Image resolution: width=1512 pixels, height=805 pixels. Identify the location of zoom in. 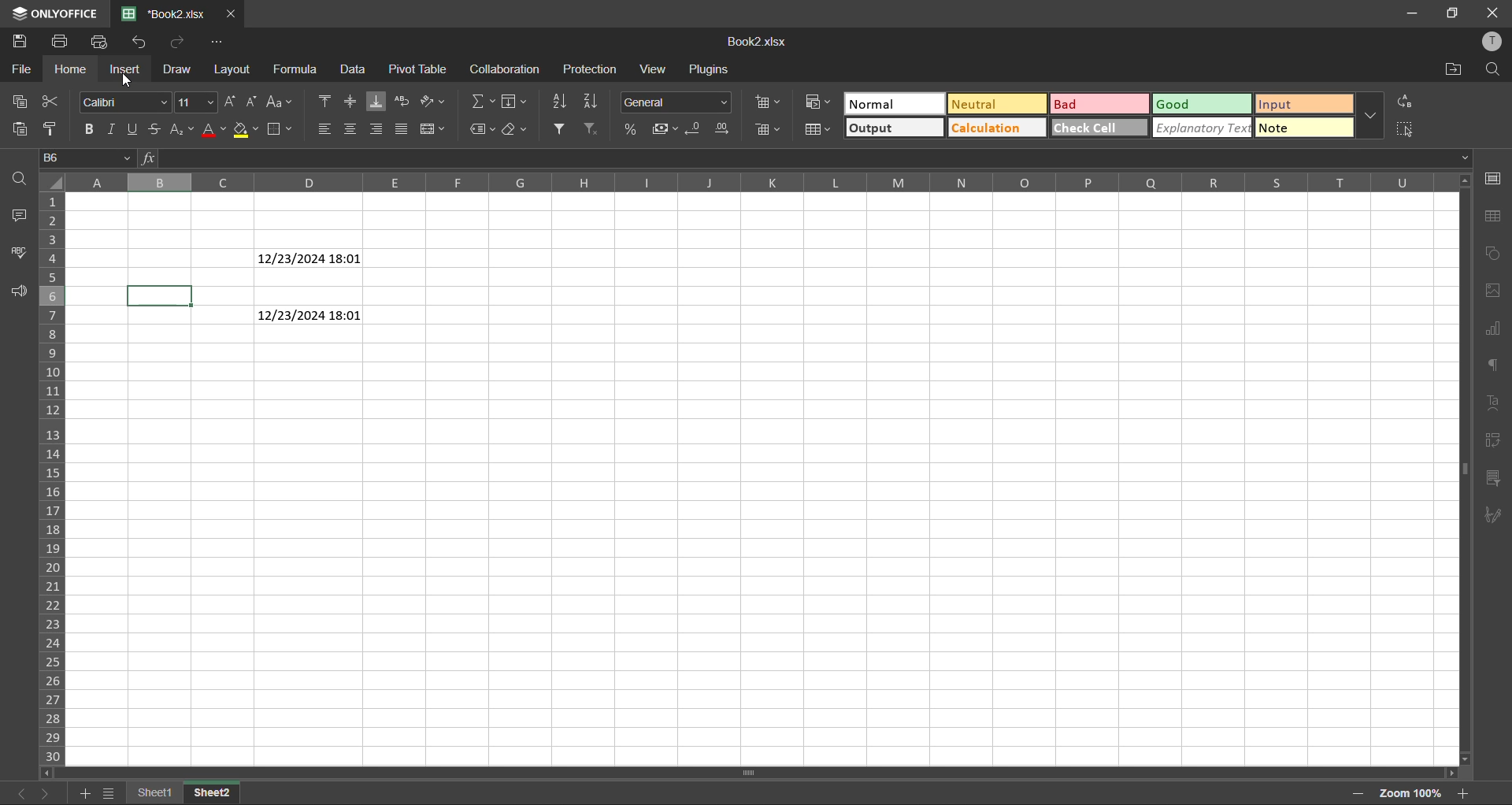
(1355, 791).